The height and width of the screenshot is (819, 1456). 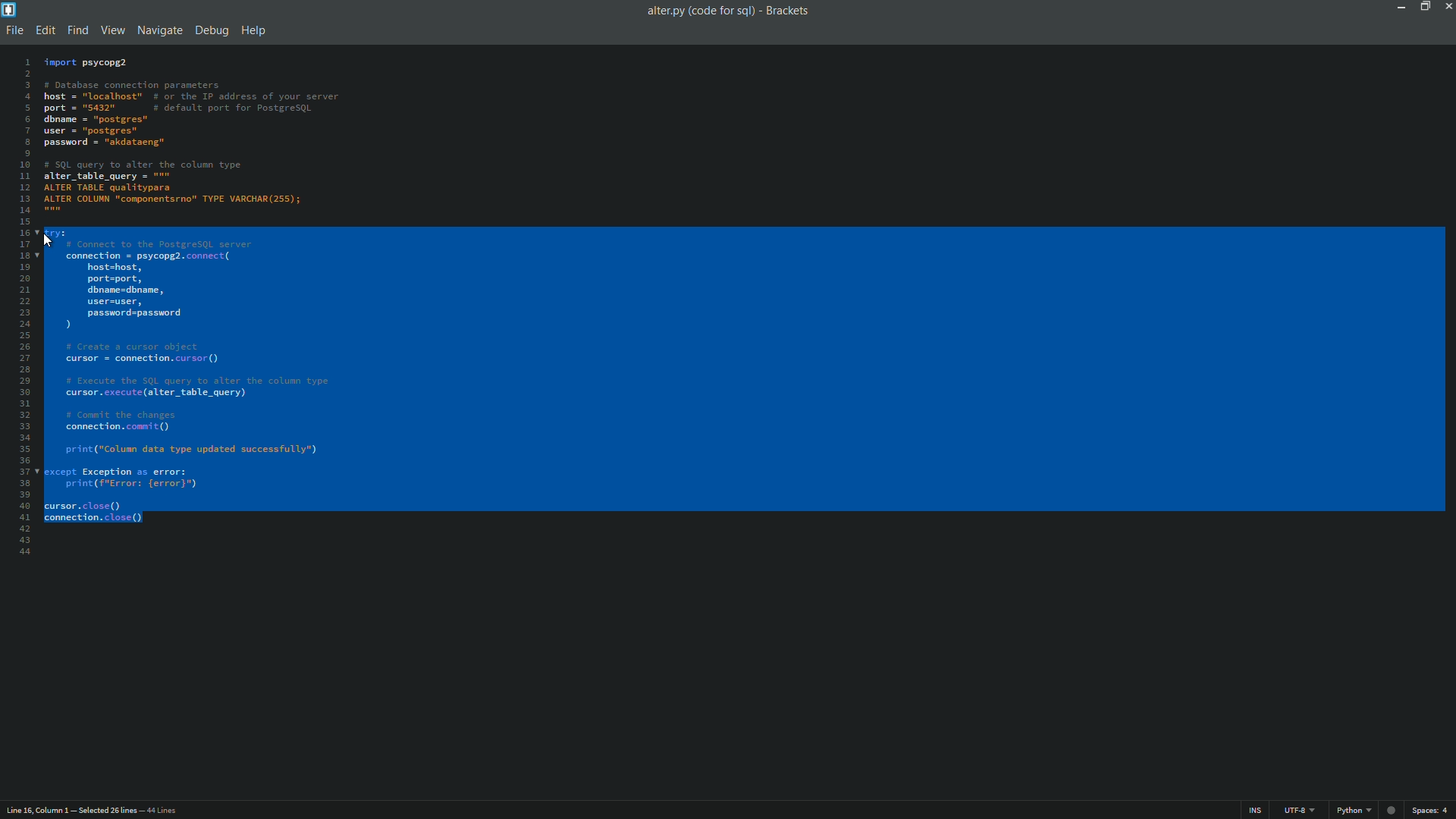 I want to click on file menu, so click(x=13, y=30).